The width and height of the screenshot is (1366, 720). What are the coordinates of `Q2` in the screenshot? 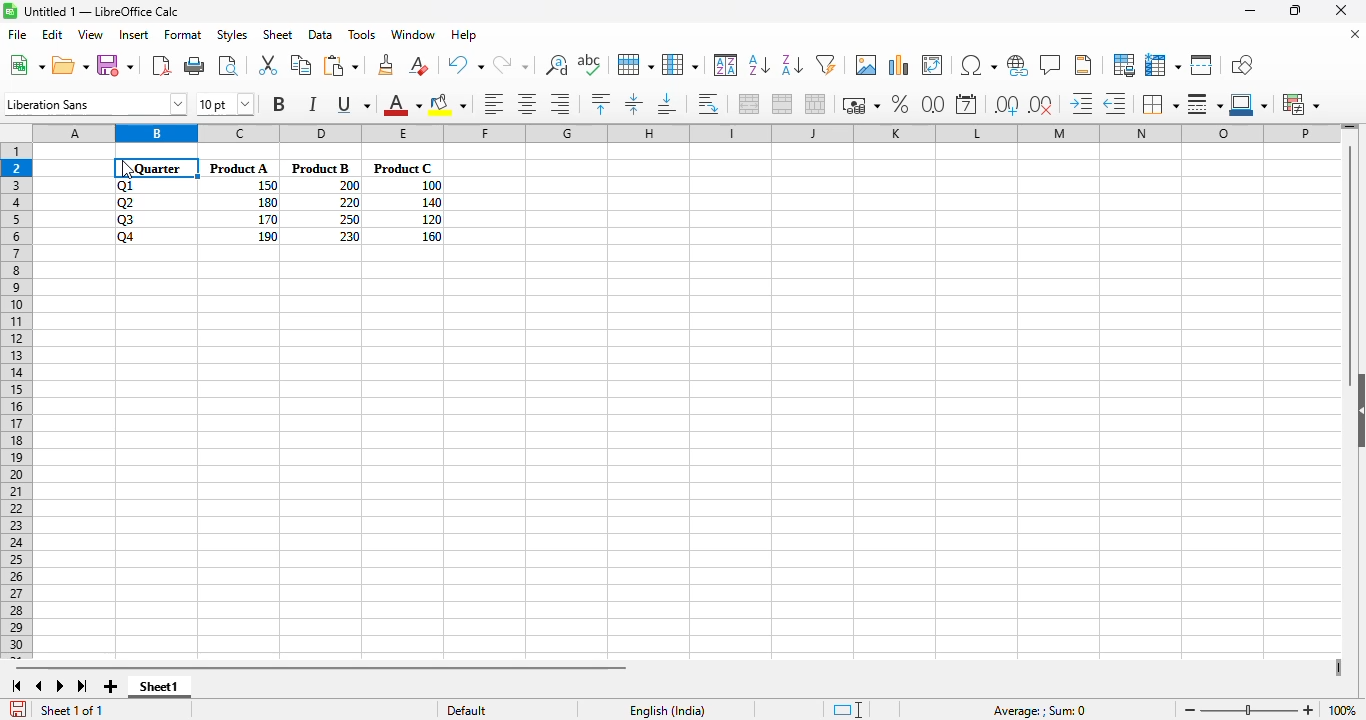 It's located at (127, 203).